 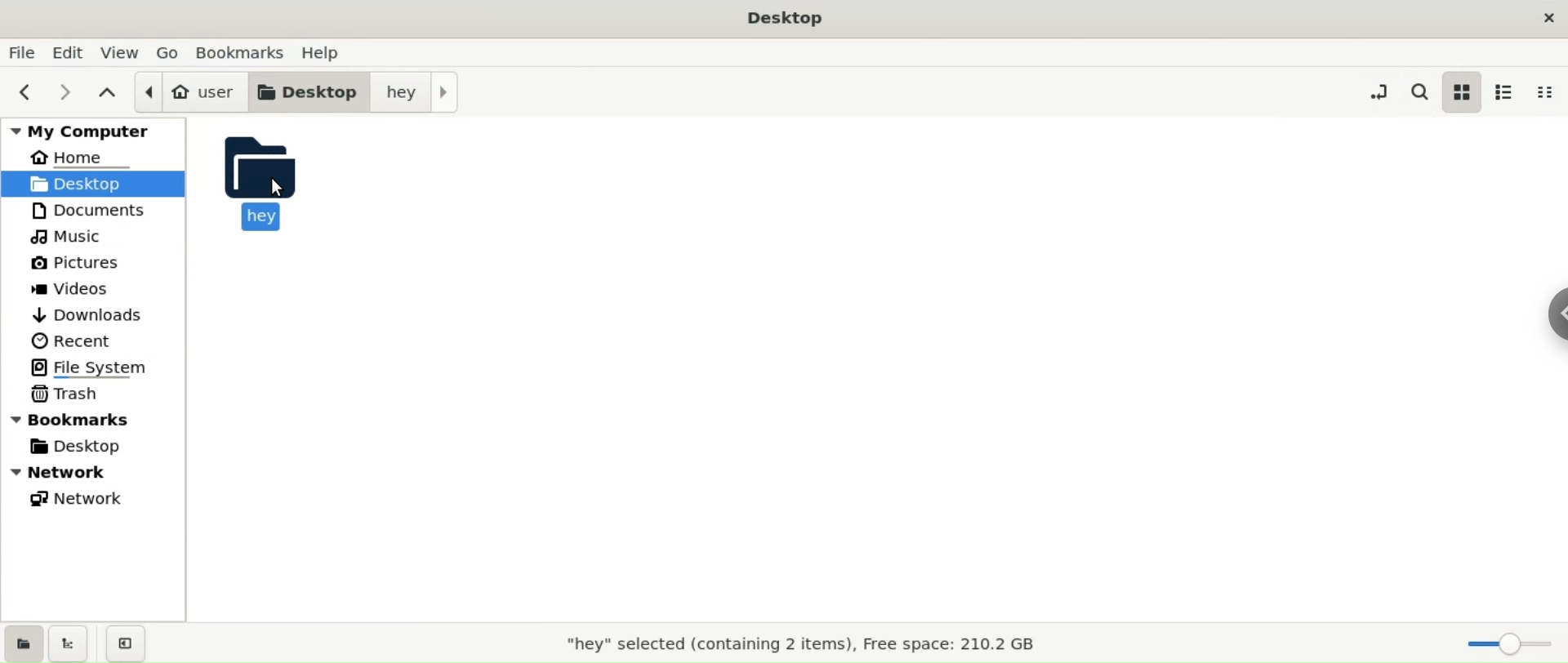 What do you see at coordinates (66, 394) in the screenshot?
I see `trash` at bounding box center [66, 394].